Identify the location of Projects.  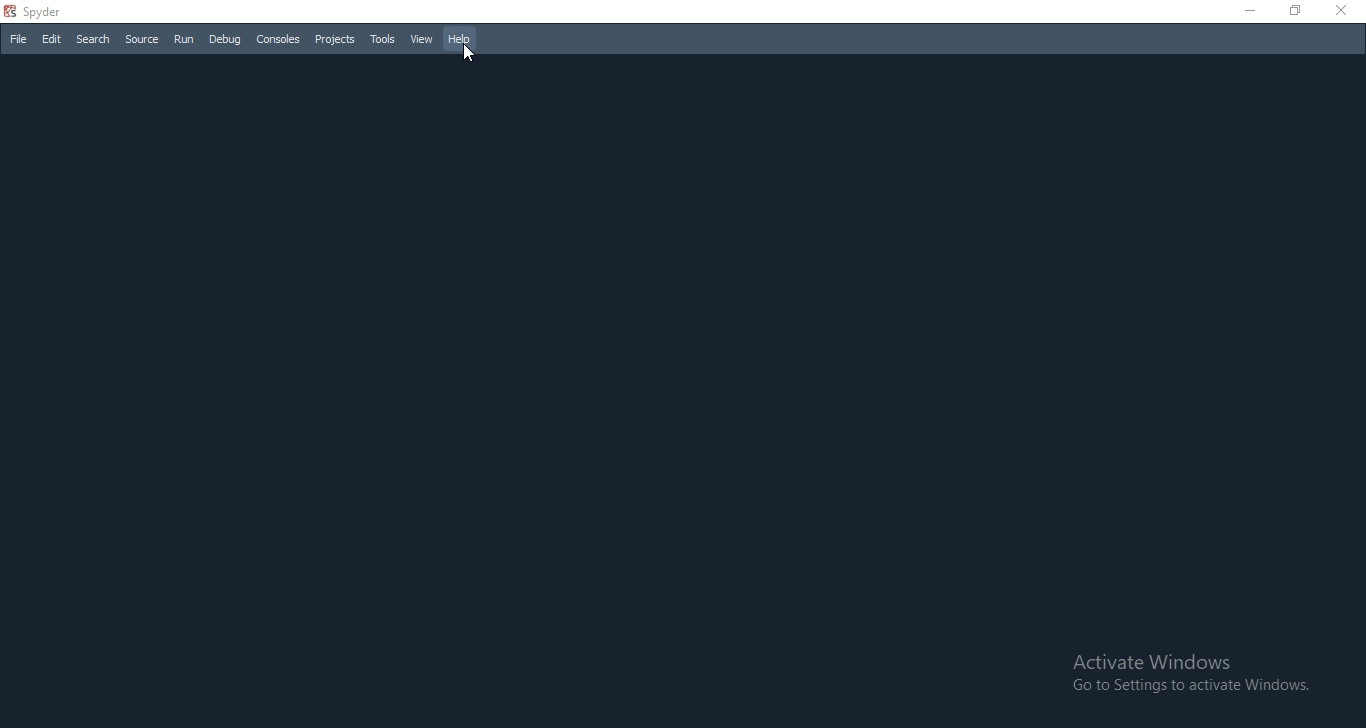
(334, 40).